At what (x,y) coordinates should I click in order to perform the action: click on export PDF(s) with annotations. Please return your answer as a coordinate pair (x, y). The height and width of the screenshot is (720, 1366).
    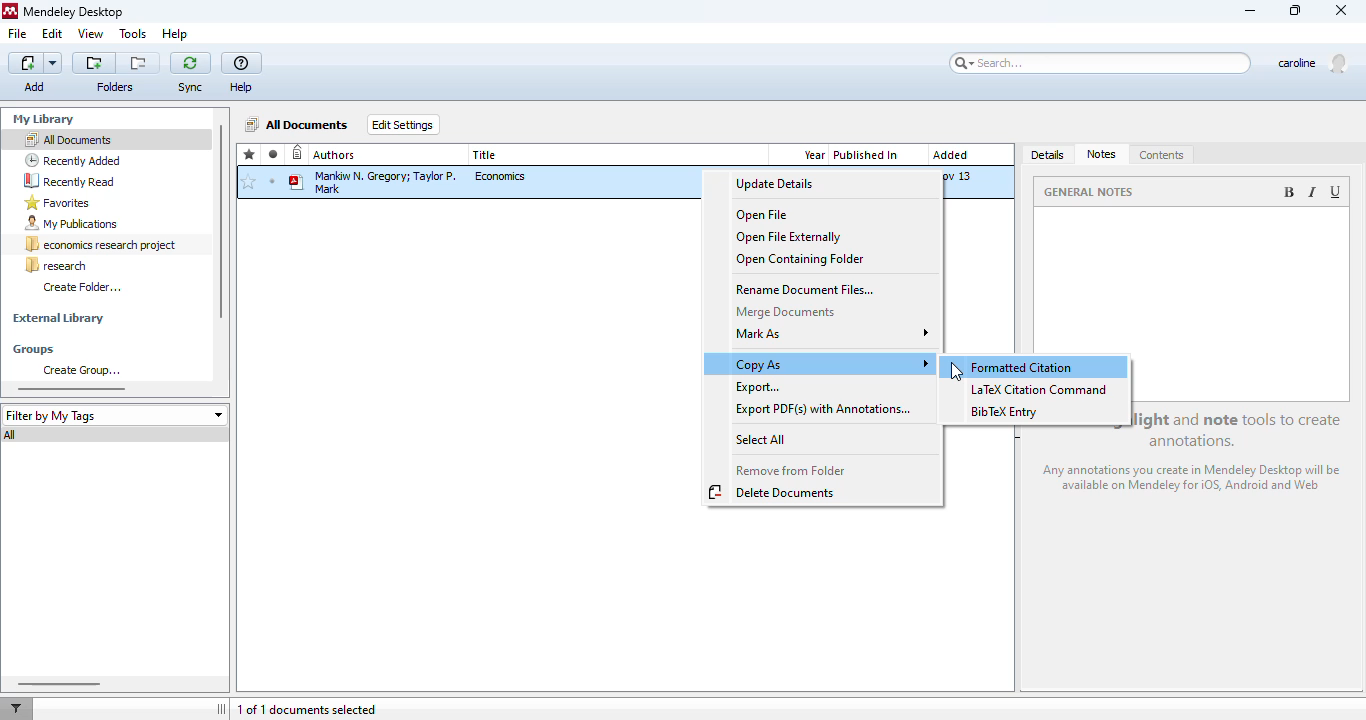
    Looking at the image, I should click on (827, 409).